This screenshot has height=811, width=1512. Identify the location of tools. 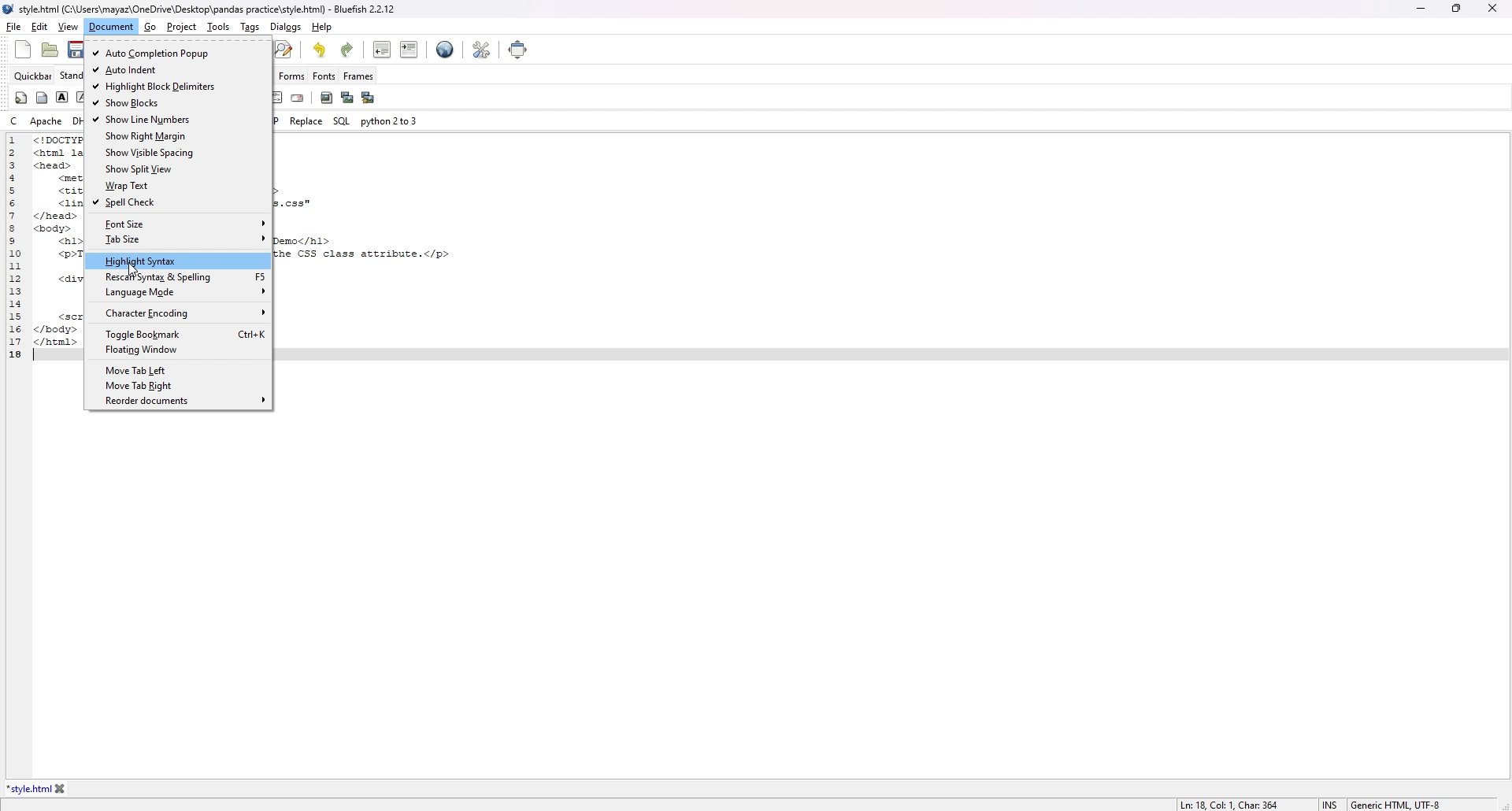
(219, 28).